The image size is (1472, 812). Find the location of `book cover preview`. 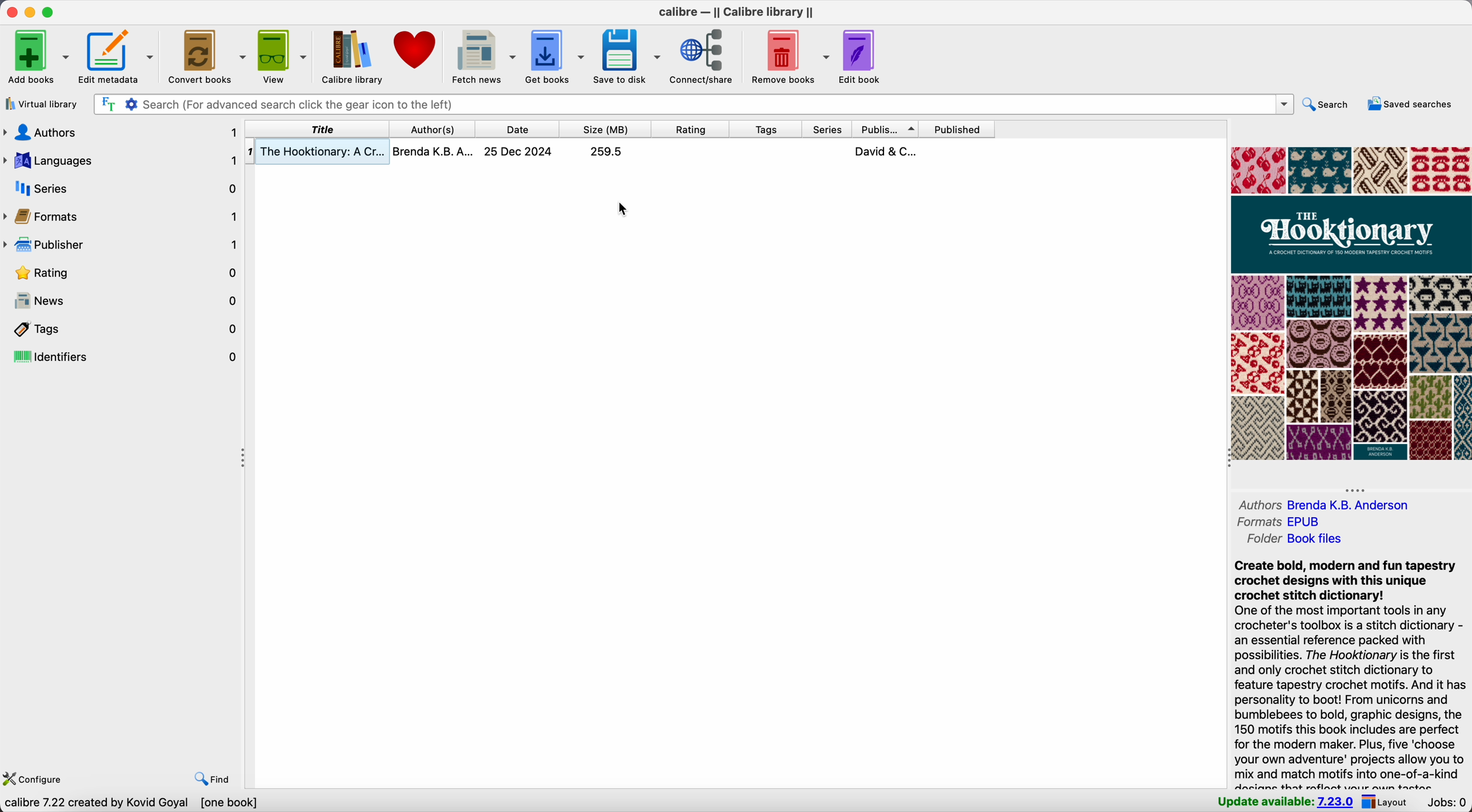

book cover preview is located at coordinates (1350, 303).